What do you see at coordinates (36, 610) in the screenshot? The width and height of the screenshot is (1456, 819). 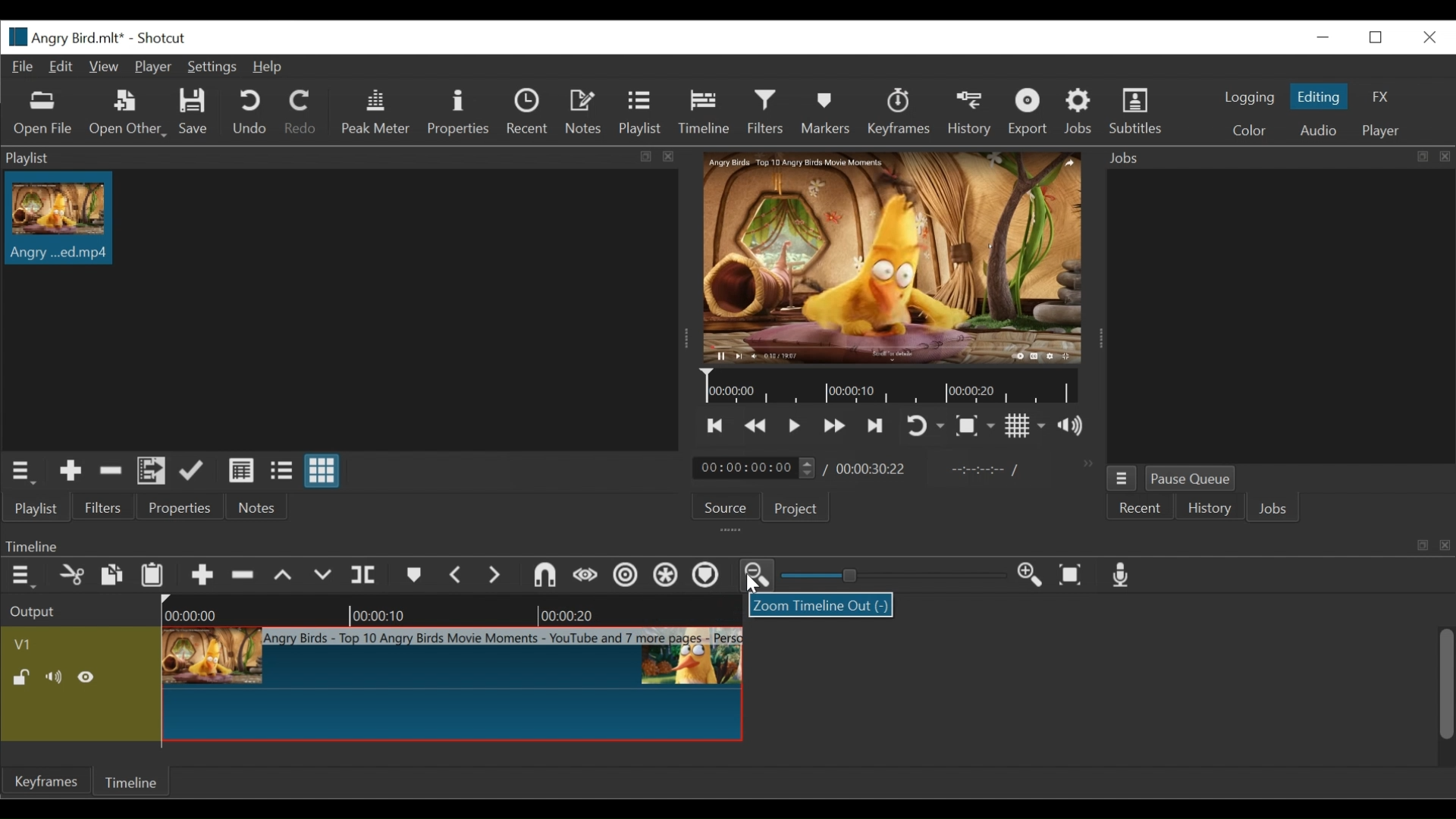 I see `Output` at bounding box center [36, 610].